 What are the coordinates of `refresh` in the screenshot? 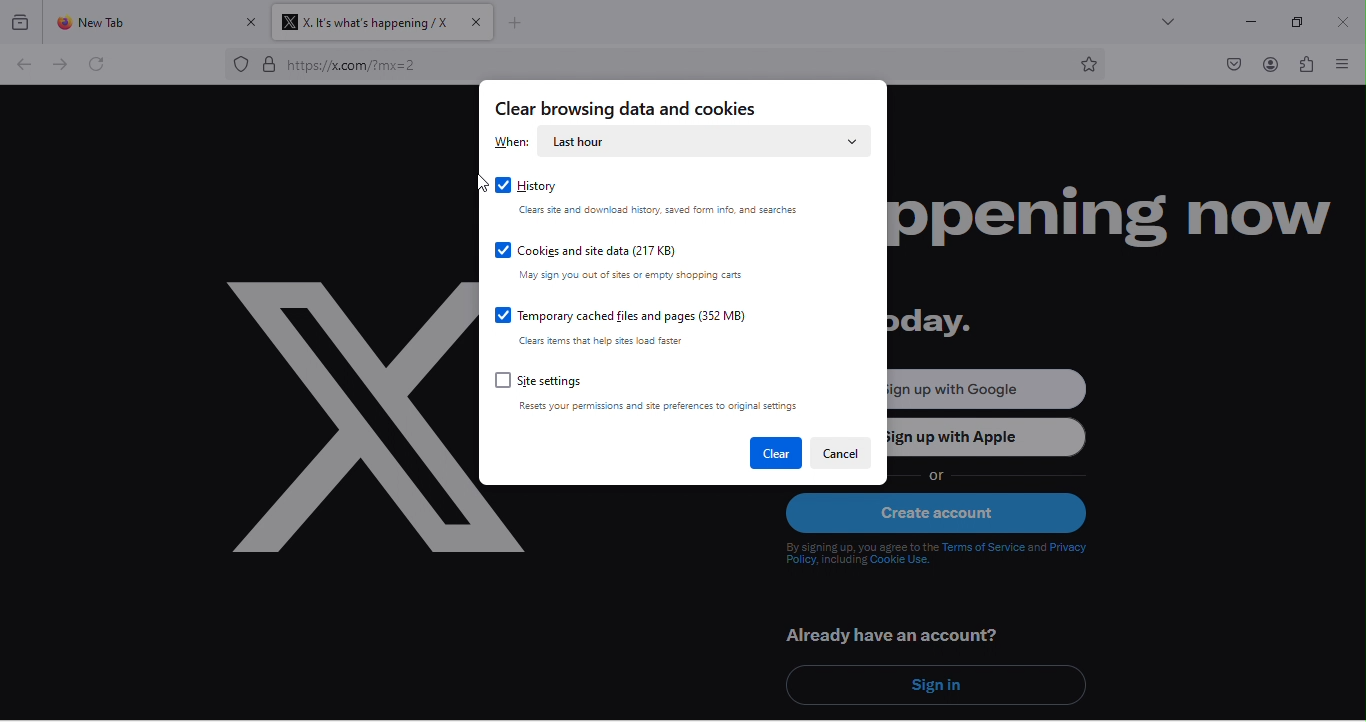 It's located at (96, 66).